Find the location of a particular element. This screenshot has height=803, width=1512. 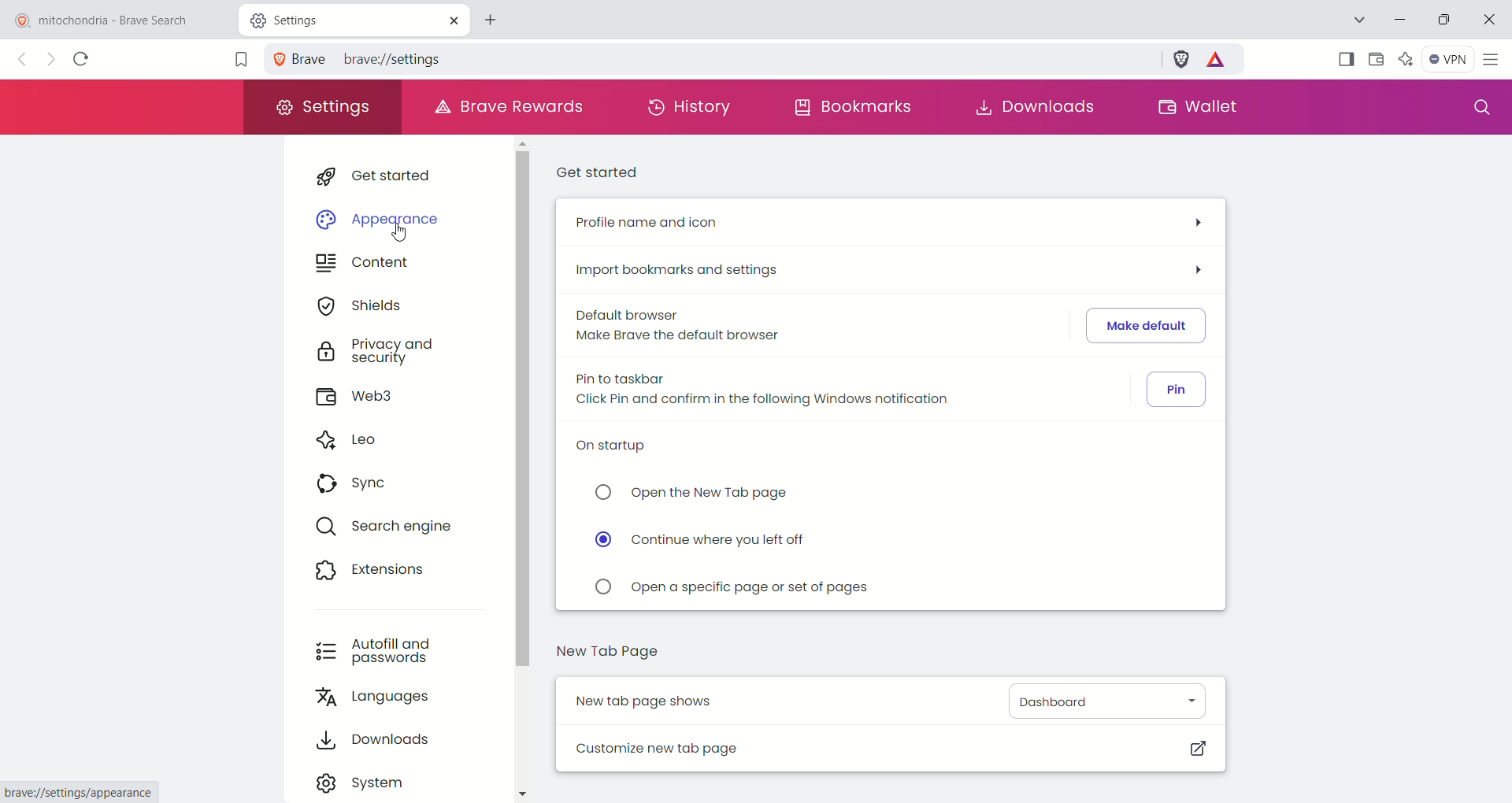

downloads is located at coordinates (1040, 105).